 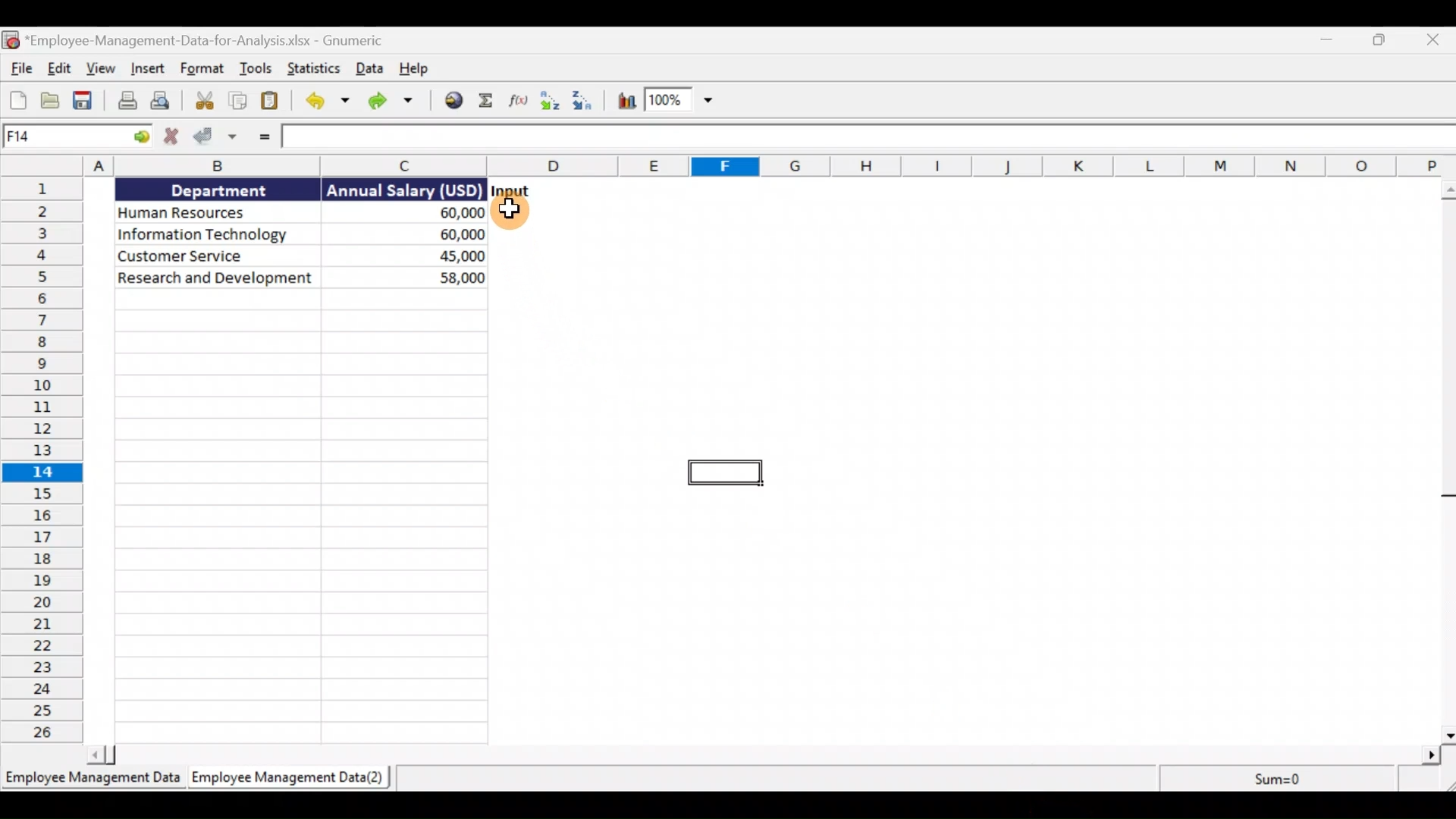 I want to click on Cursor, so click(x=511, y=212).